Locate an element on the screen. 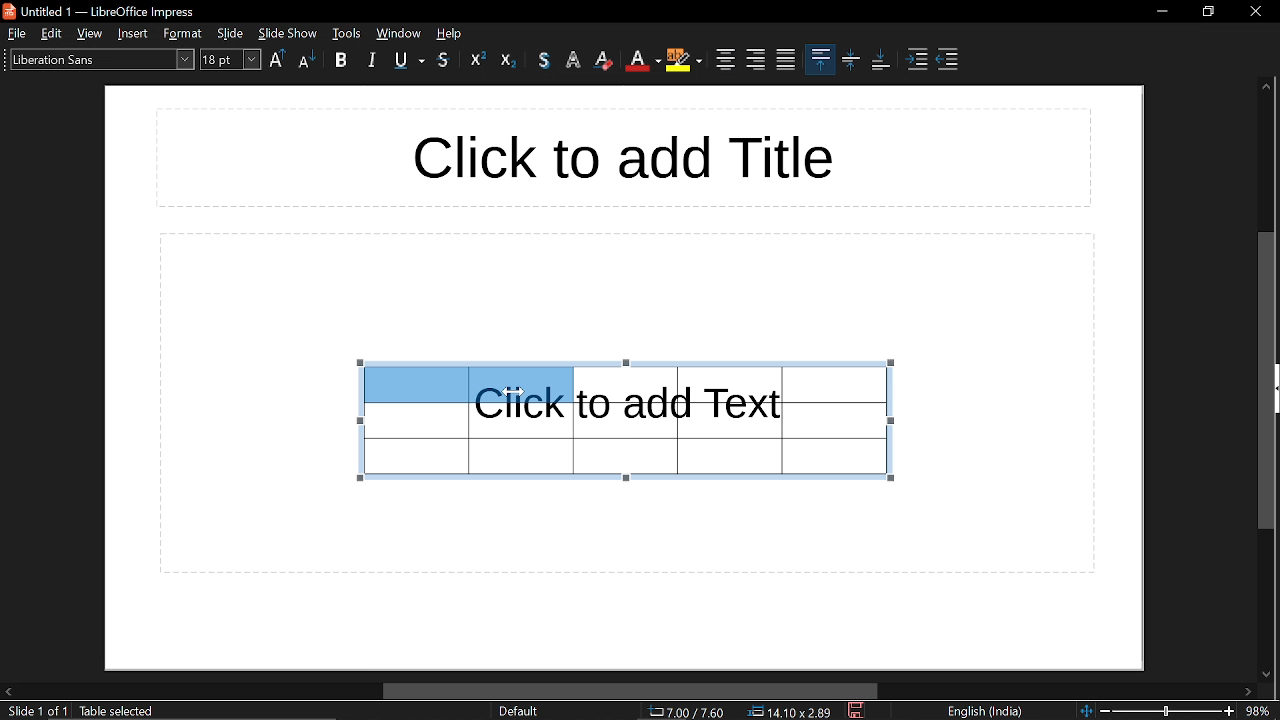 This screenshot has width=1280, height=720. highlight is located at coordinates (683, 62).